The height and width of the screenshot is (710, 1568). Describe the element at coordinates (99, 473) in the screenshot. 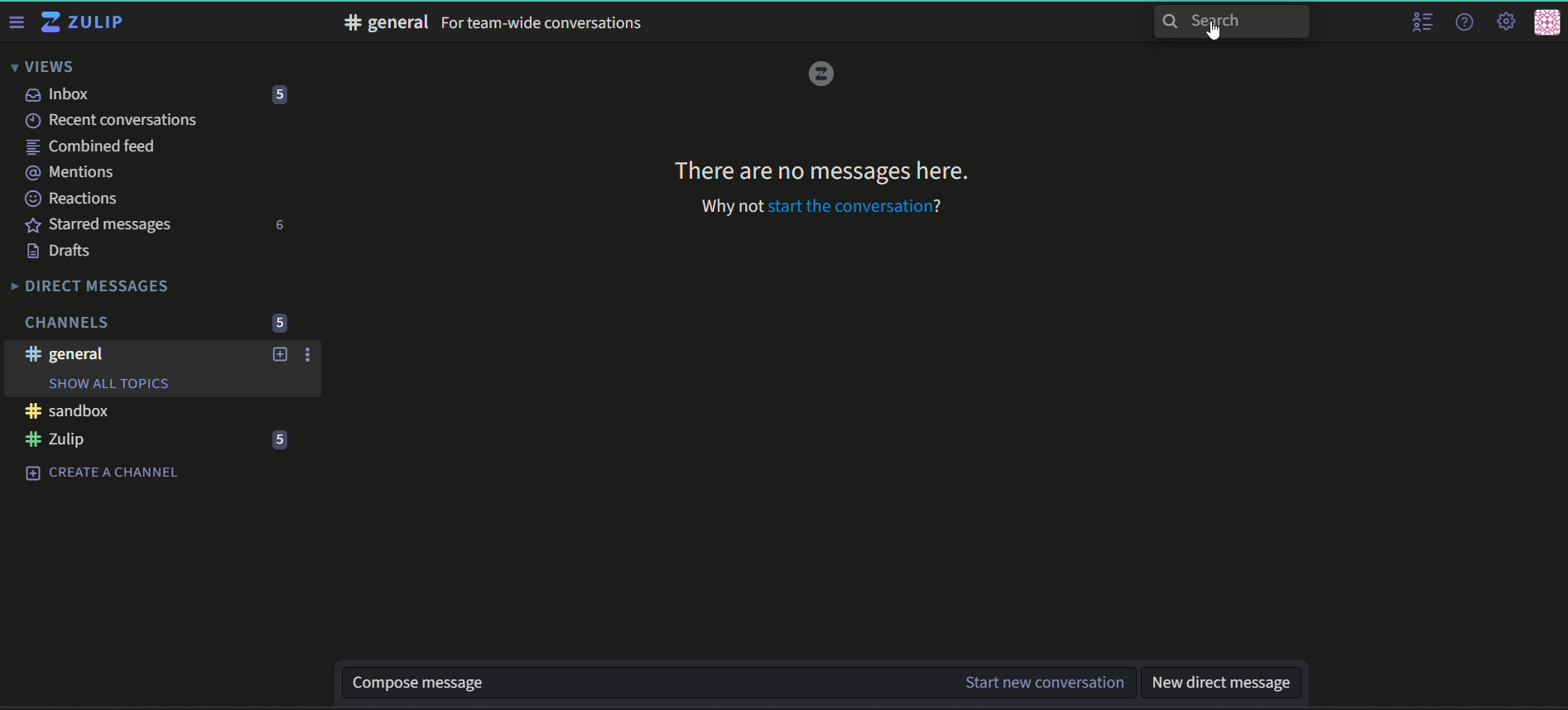

I see `create a channel` at that location.